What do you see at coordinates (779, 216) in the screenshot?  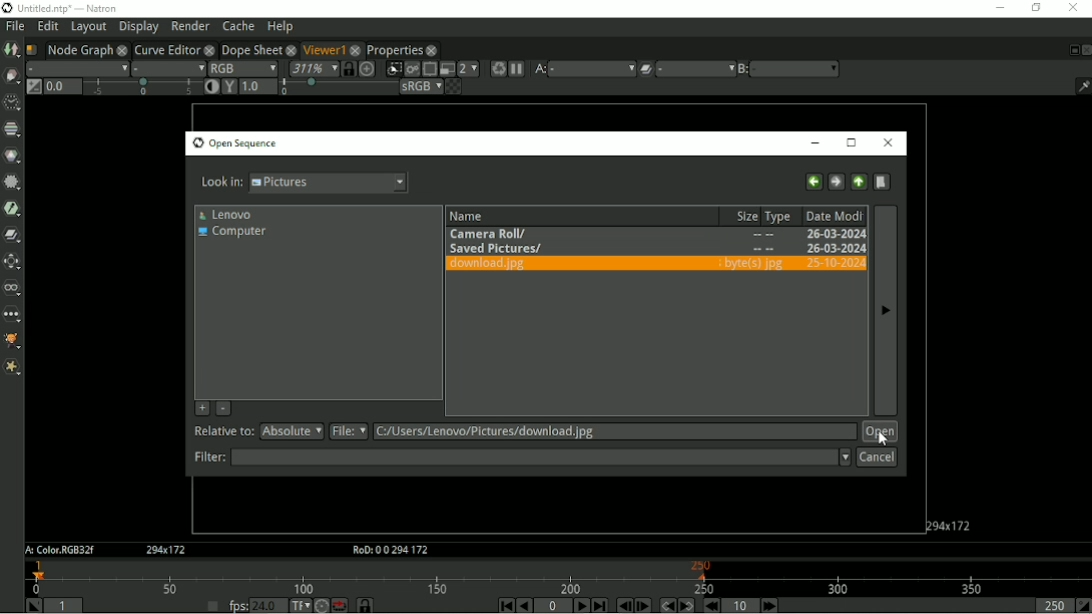 I see `Type` at bounding box center [779, 216].